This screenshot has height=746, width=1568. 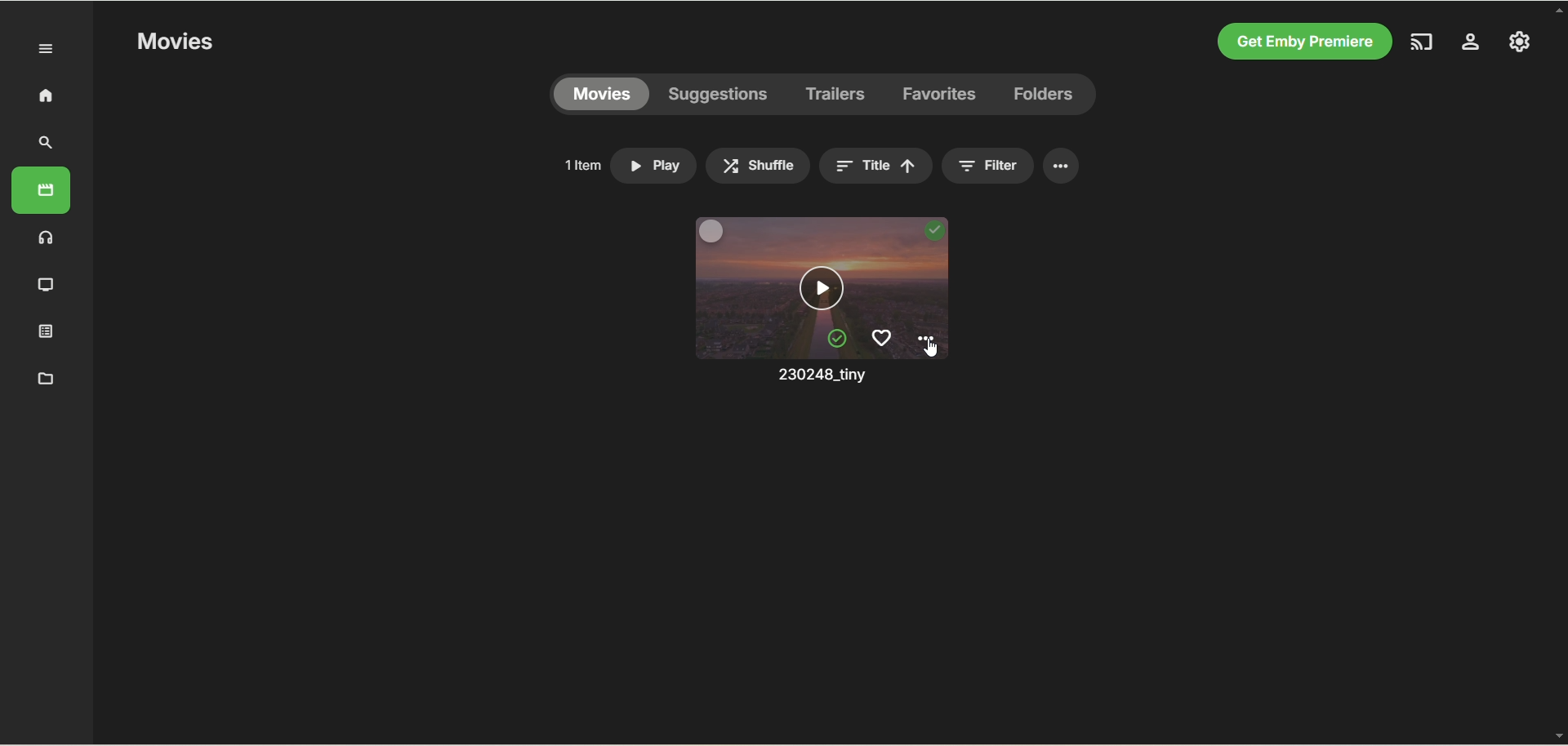 What do you see at coordinates (45, 95) in the screenshot?
I see `home` at bounding box center [45, 95].